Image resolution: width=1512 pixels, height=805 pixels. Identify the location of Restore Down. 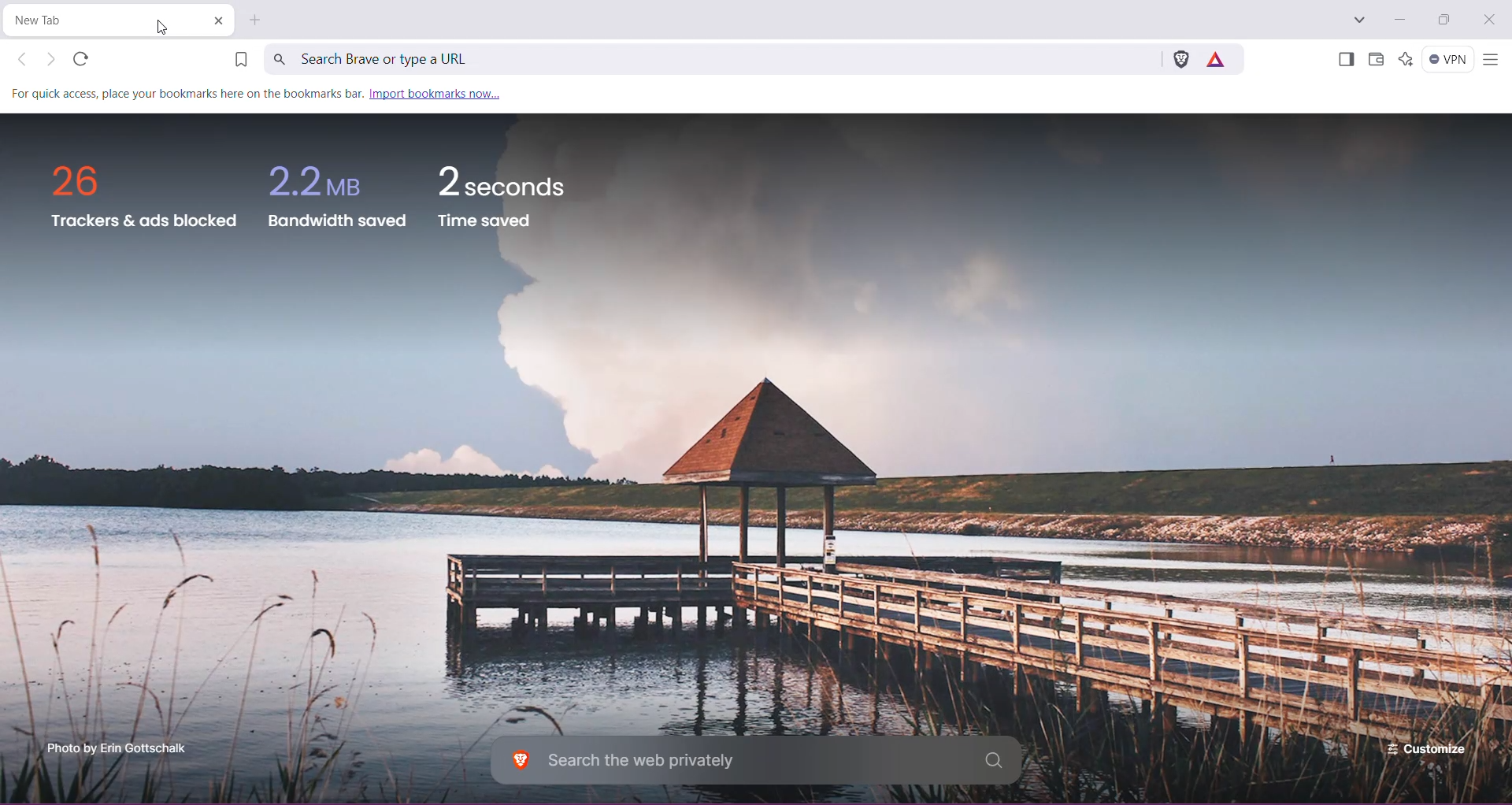
(1443, 20).